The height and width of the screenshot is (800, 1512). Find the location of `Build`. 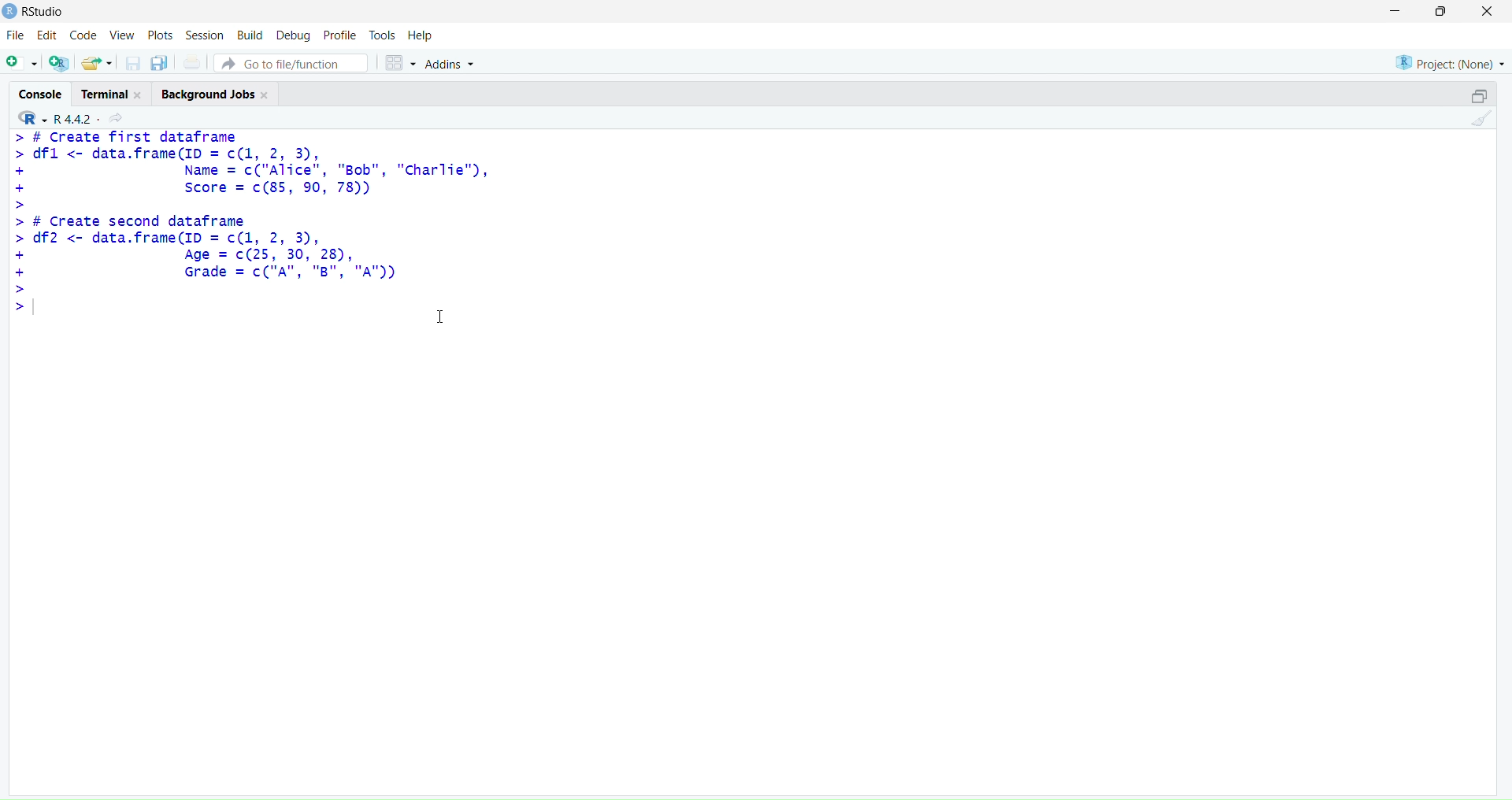

Build is located at coordinates (251, 35).